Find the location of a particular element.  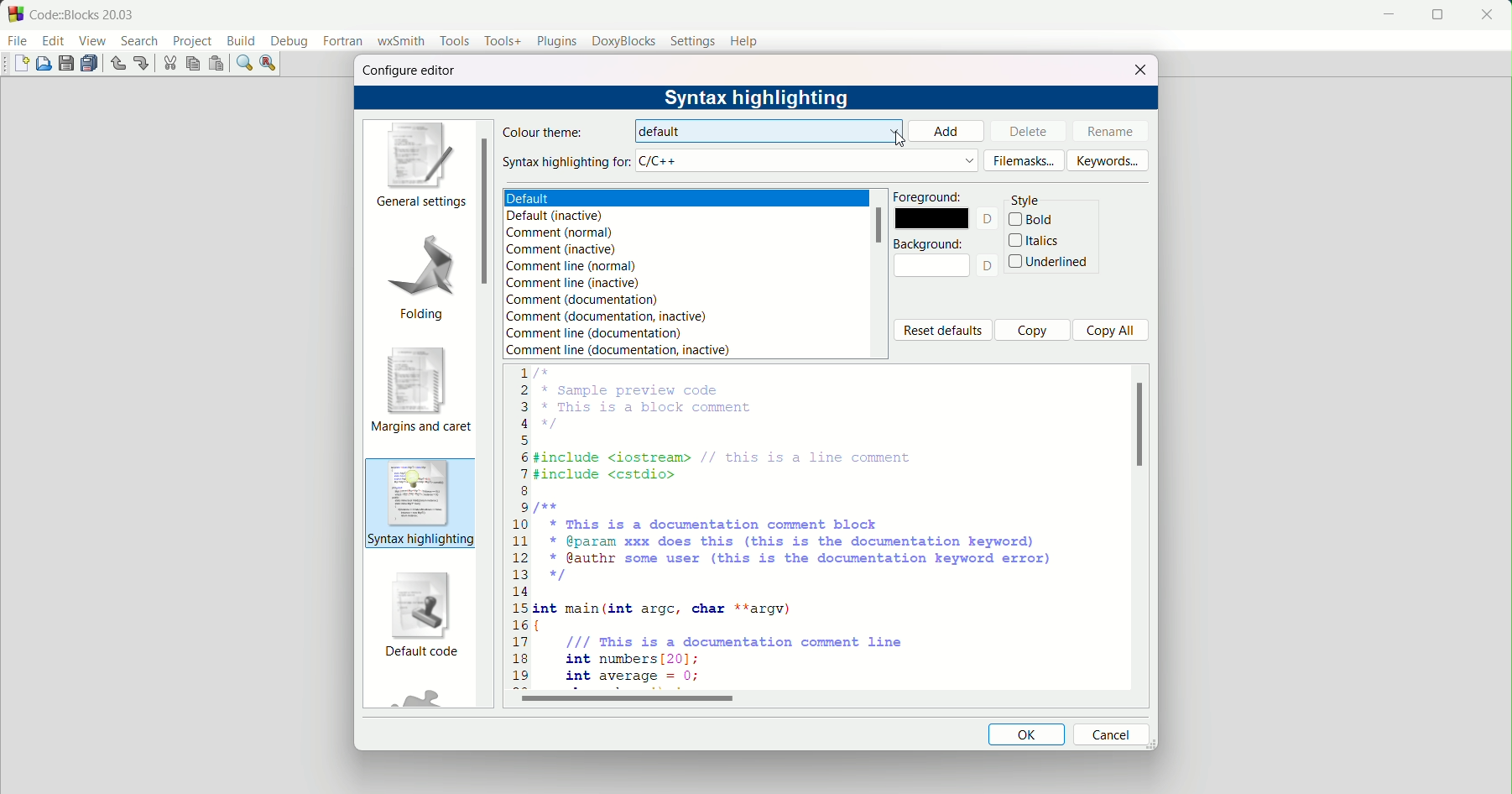

scrollbar is located at coordinates (881, 227).